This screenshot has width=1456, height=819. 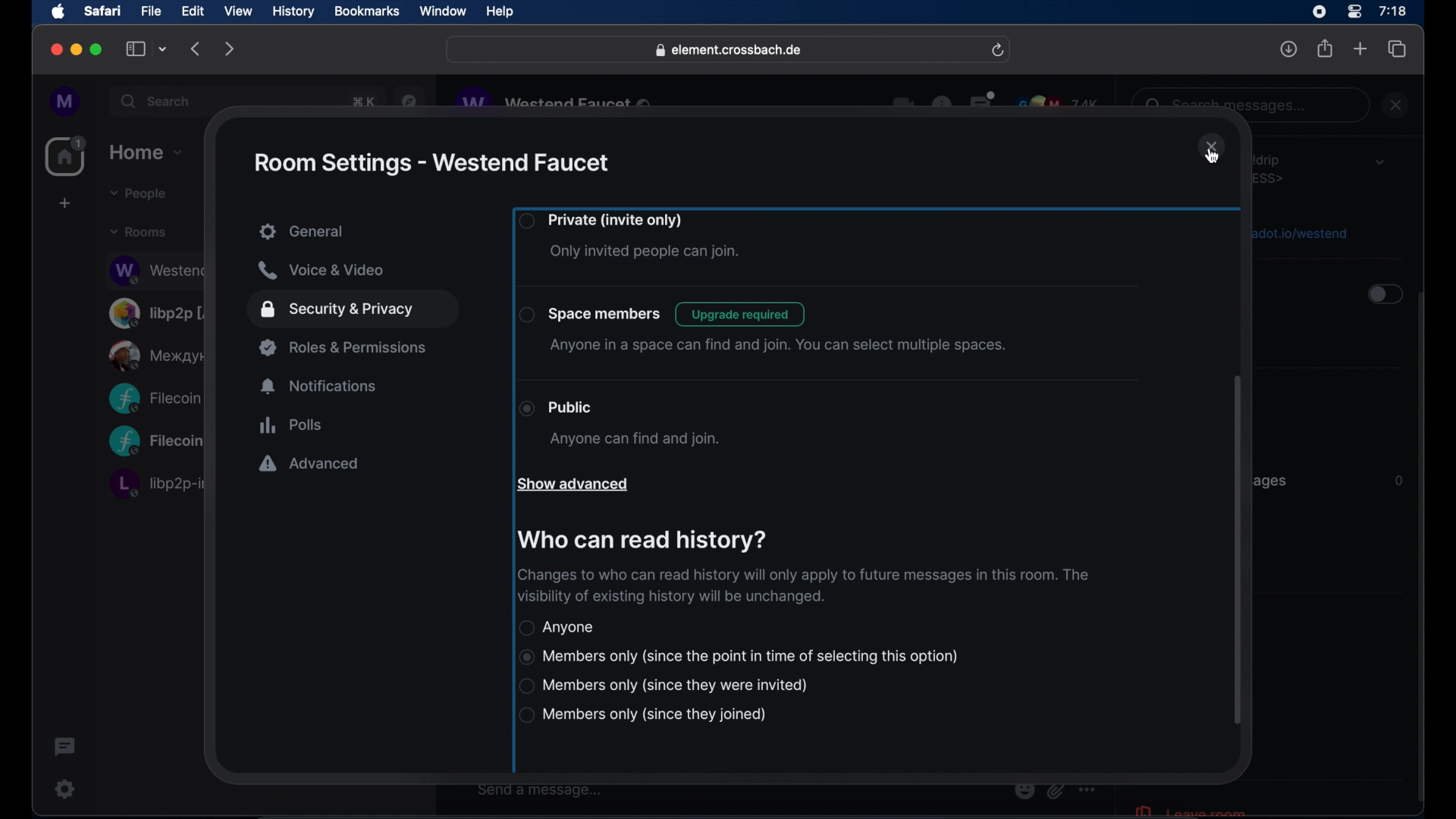 What do you see at coordinates (443, 11) in the screenshot?
I see `window` at bounding box center [443, 11].